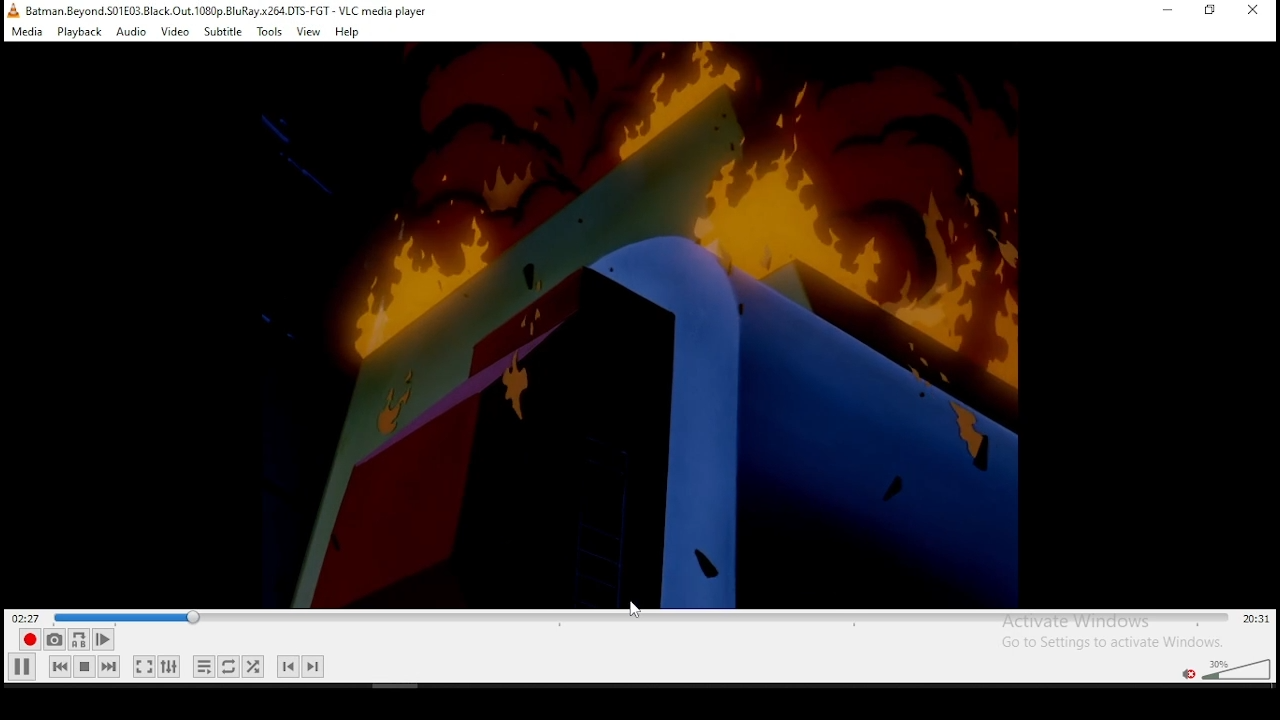 The image size is (1280, 720). What do you see at coordinates (84, 666) in the screenshot?
I see `stop` at bounding box center [84, 666].